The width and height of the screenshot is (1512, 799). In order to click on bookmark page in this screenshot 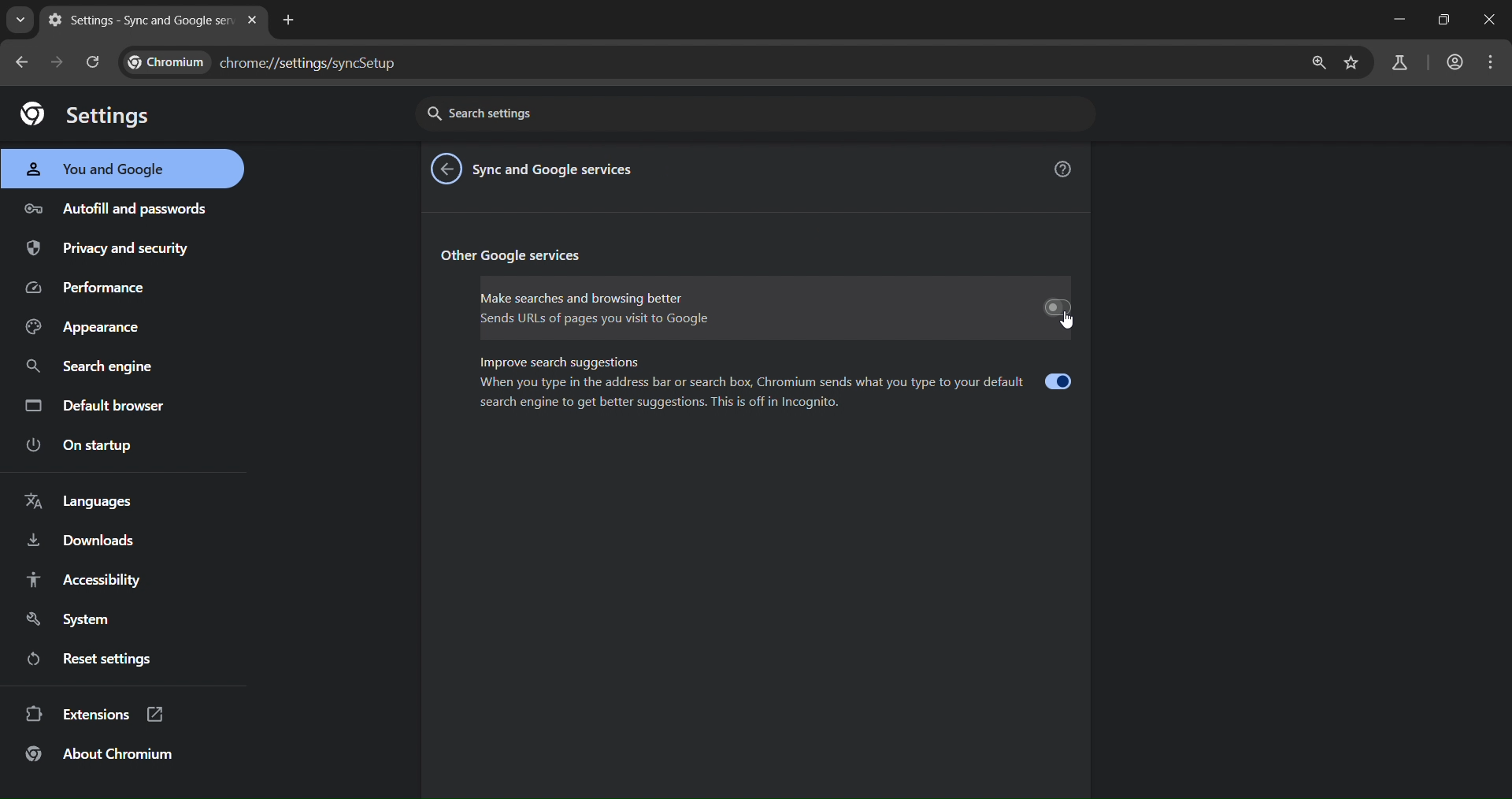, I will do `click(1354, 63)`.